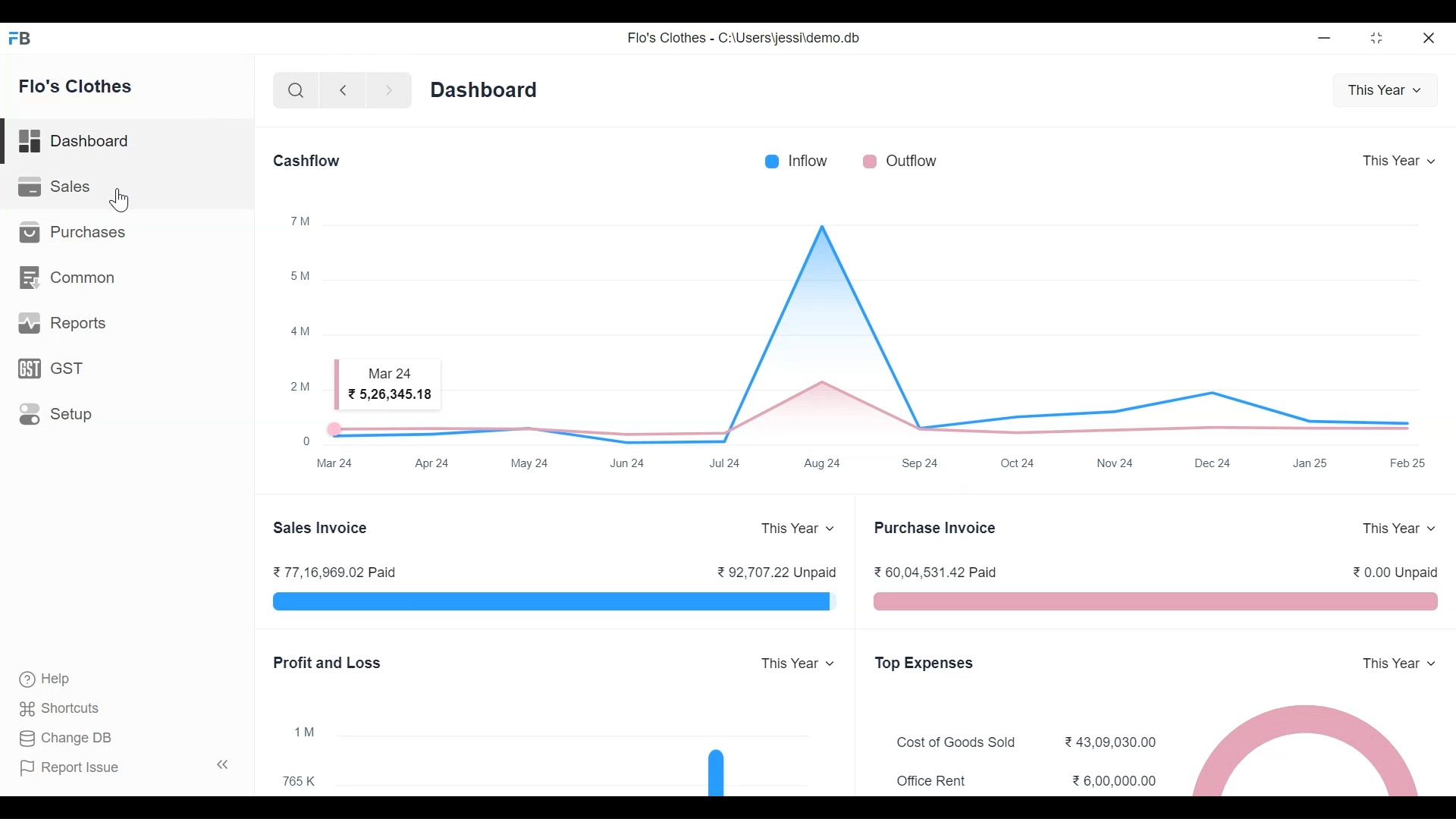 The height and width of the screenshot is (819, 1456). I want to click on Jul 24, so click(725, 462).